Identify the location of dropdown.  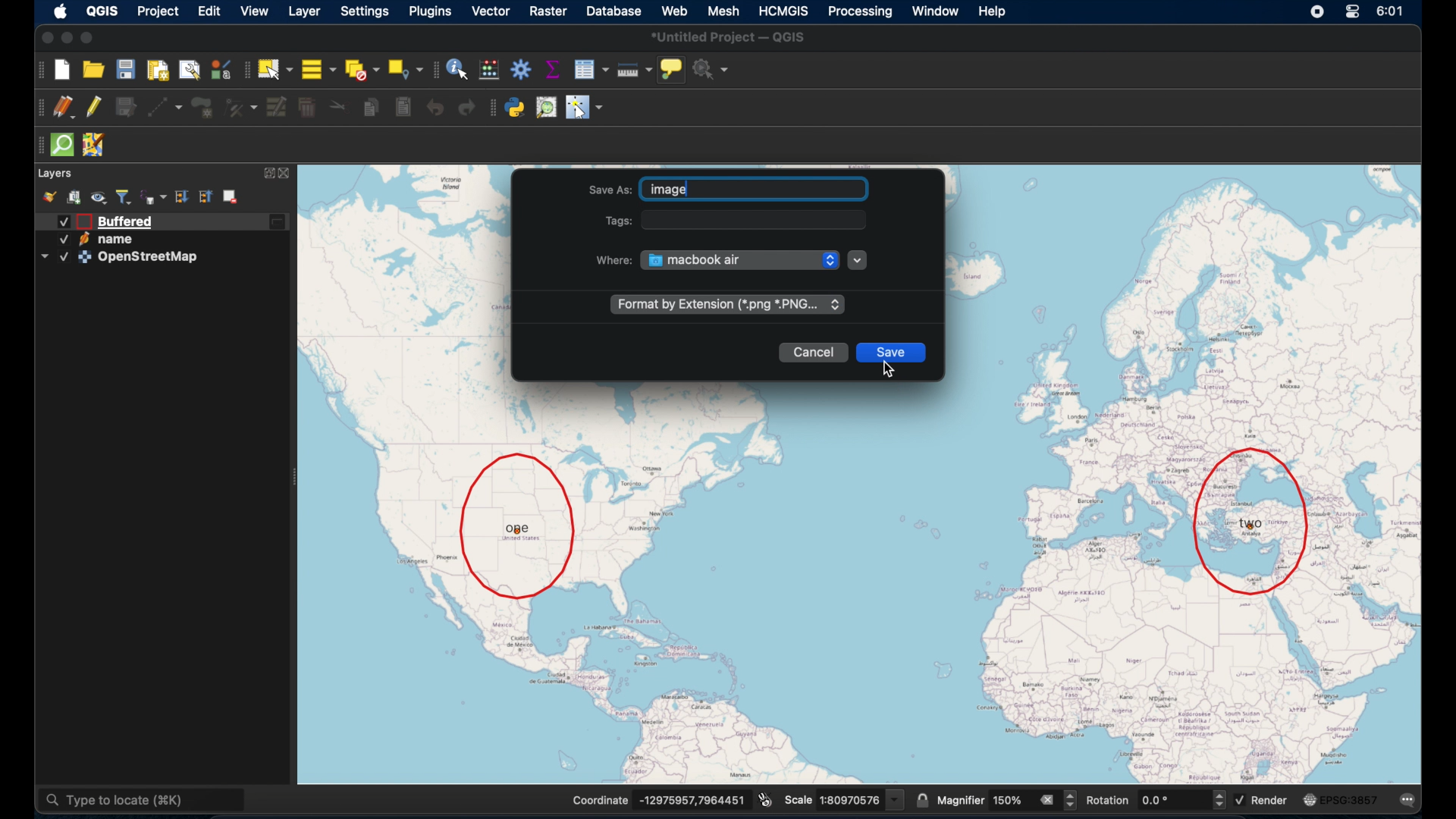
(43, 257).